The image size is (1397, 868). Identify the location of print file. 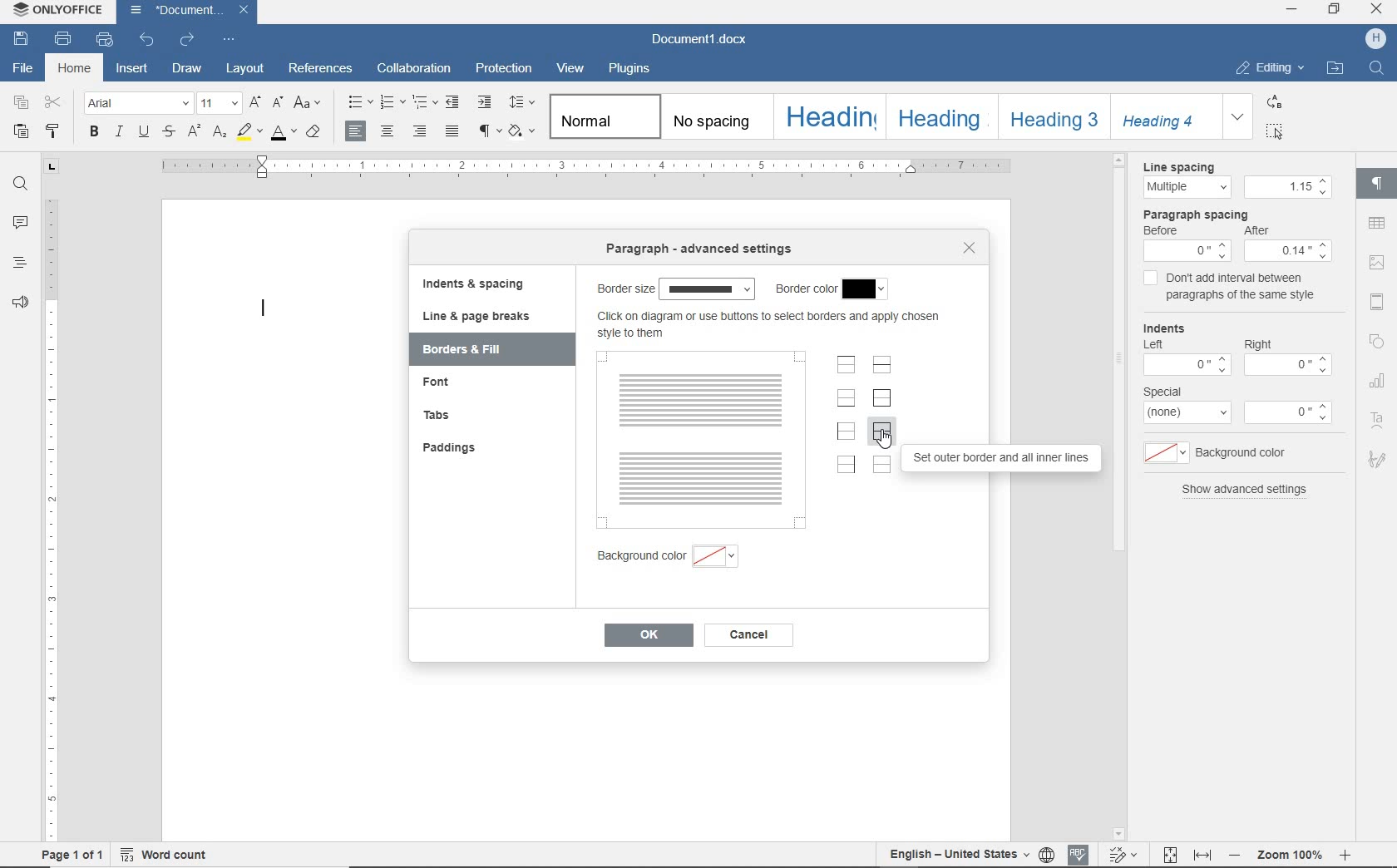
(63, 40).